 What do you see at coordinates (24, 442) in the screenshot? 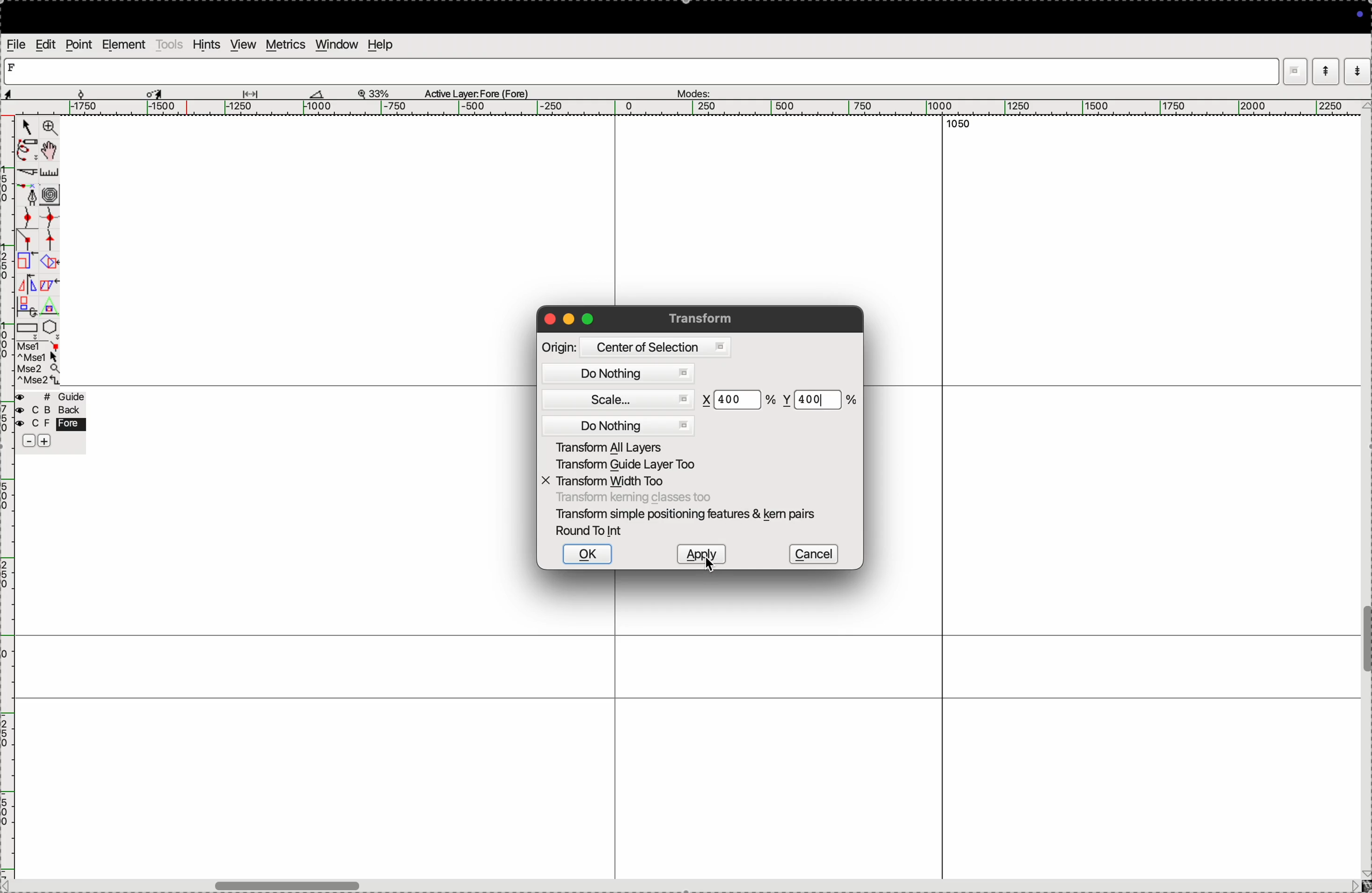
I see `sbubtract` at bounding box center [24, 442].